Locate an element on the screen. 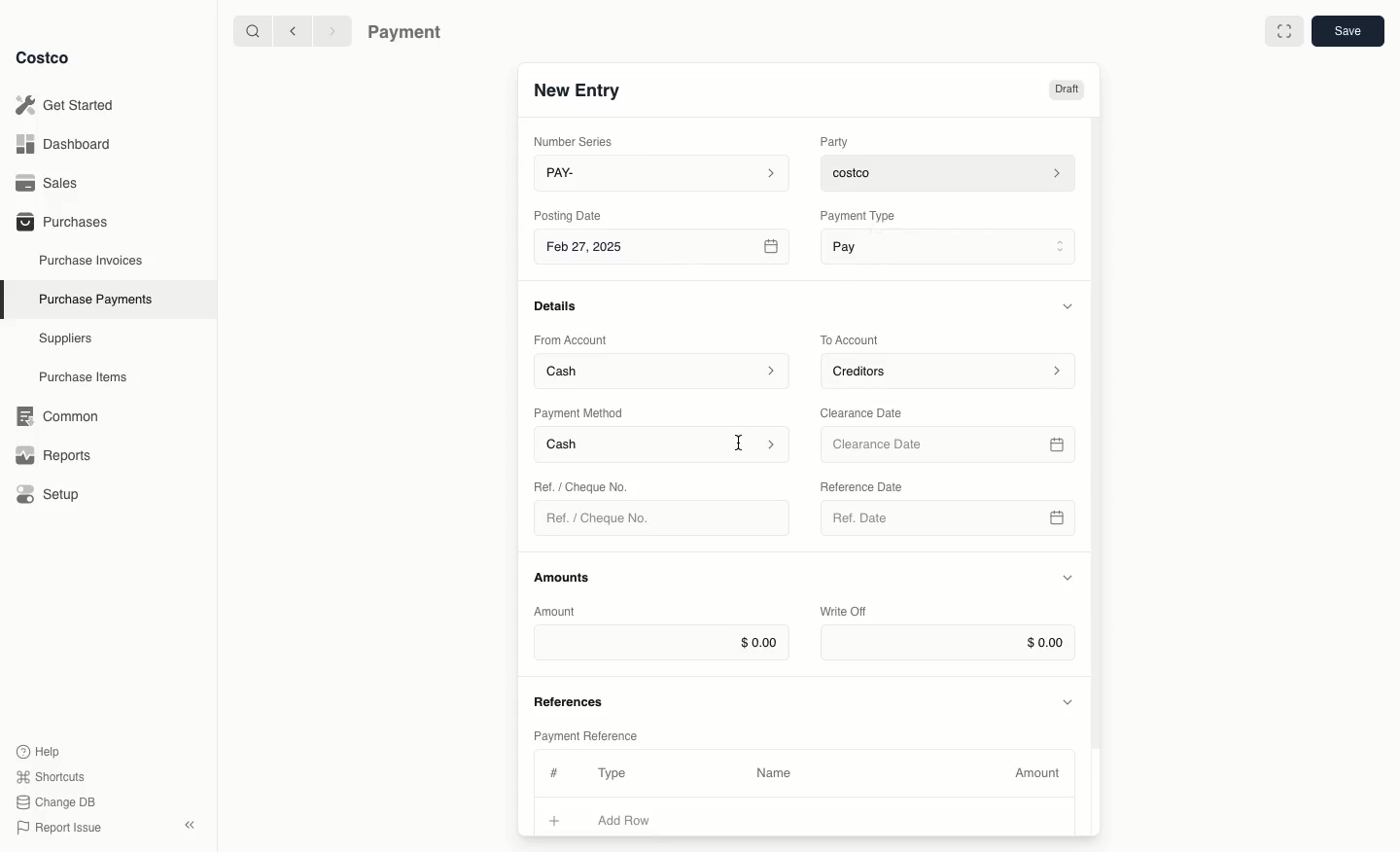  Amount is located at coordinates (558, 611).